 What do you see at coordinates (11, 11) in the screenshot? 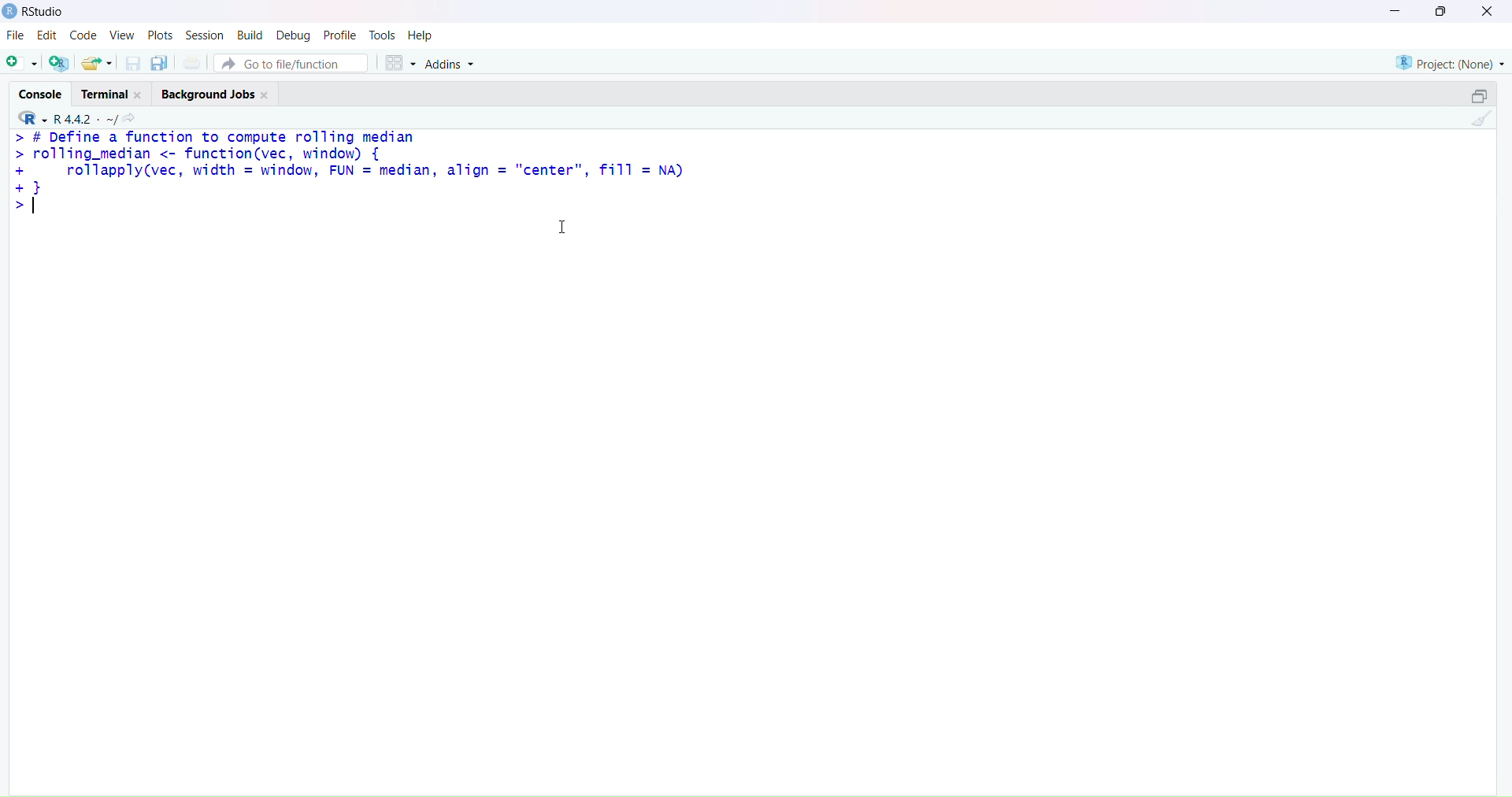
I see `logo` at bounding box center [11, 11].